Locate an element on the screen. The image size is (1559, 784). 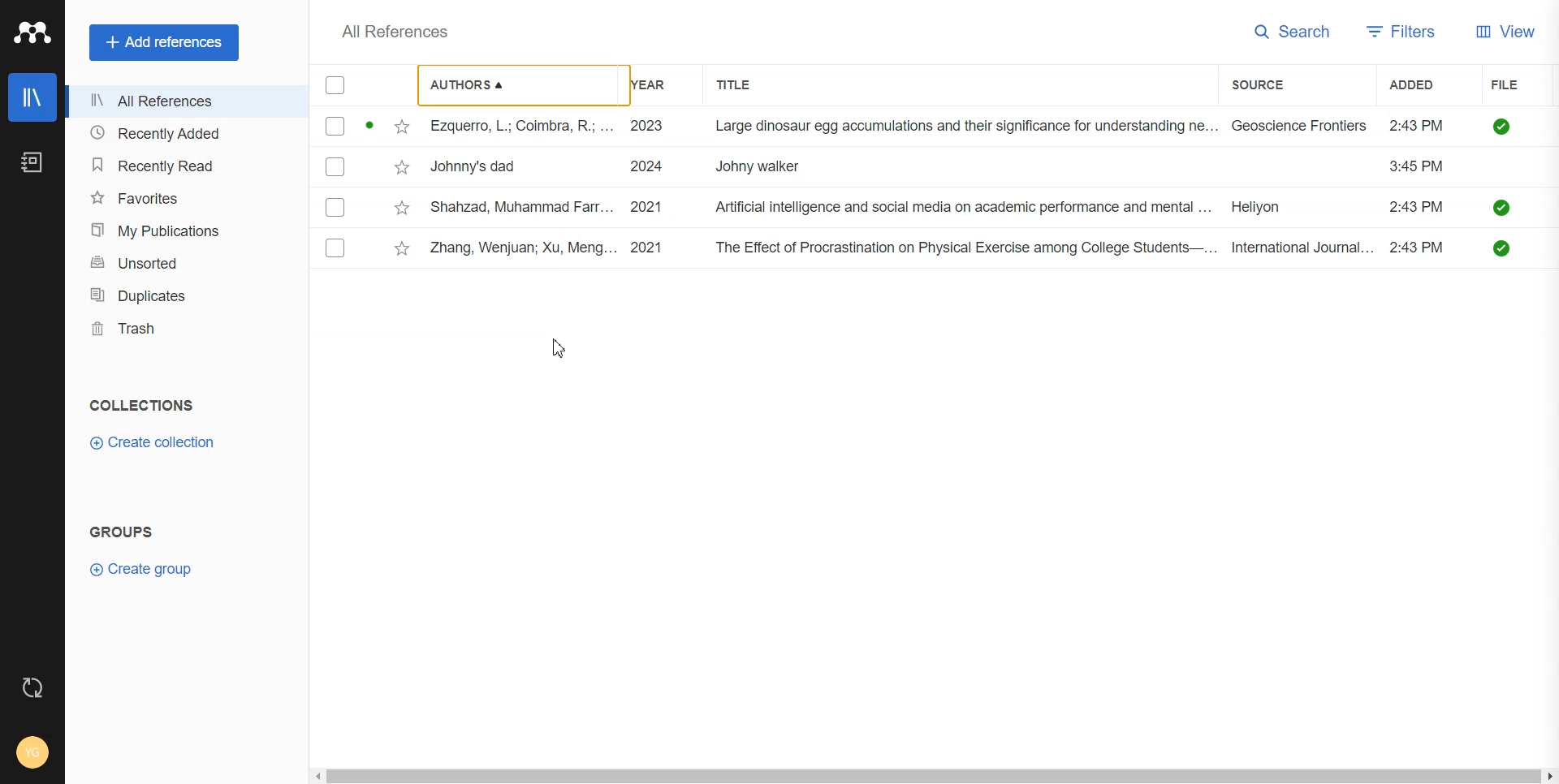
Shahzad, Muhammad is located at coordinates (522, 208).